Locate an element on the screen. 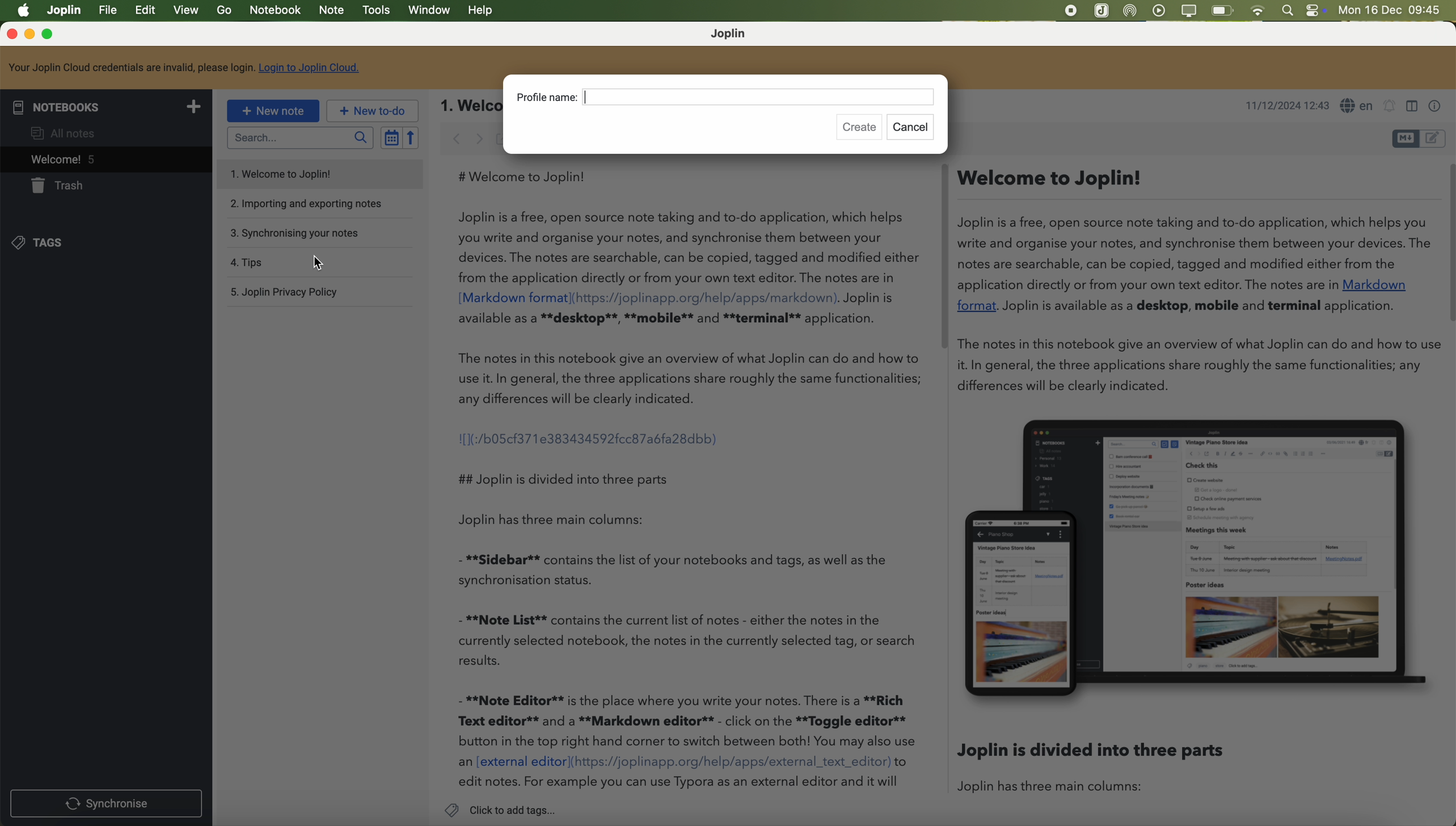 This screenshot has height=826, width=1456. synchronise is located at coordinates (107, 802).